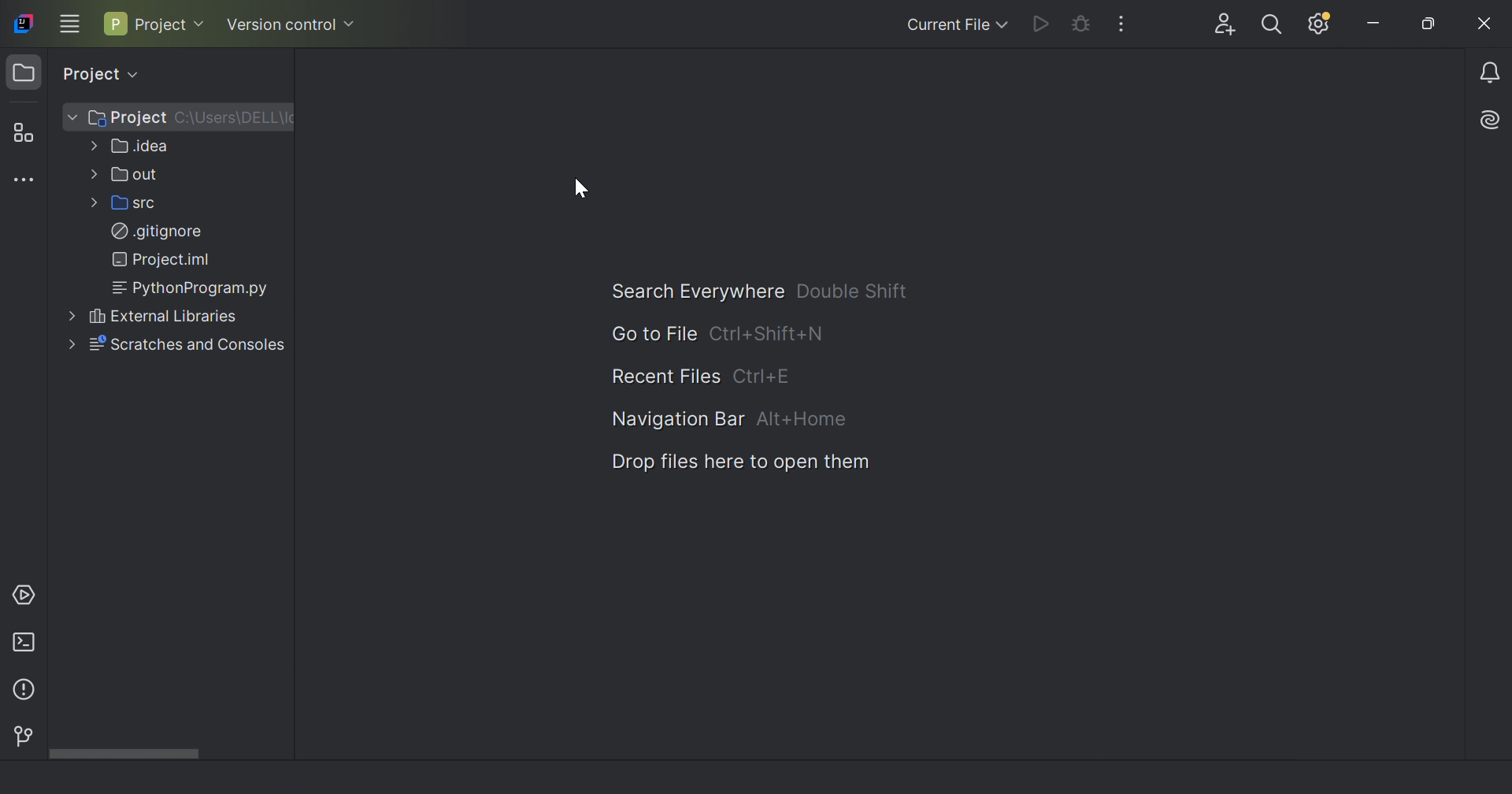  Describe the element at coordinates (769, 375) in the screenshot. I see `Ctrl+E` at that location.